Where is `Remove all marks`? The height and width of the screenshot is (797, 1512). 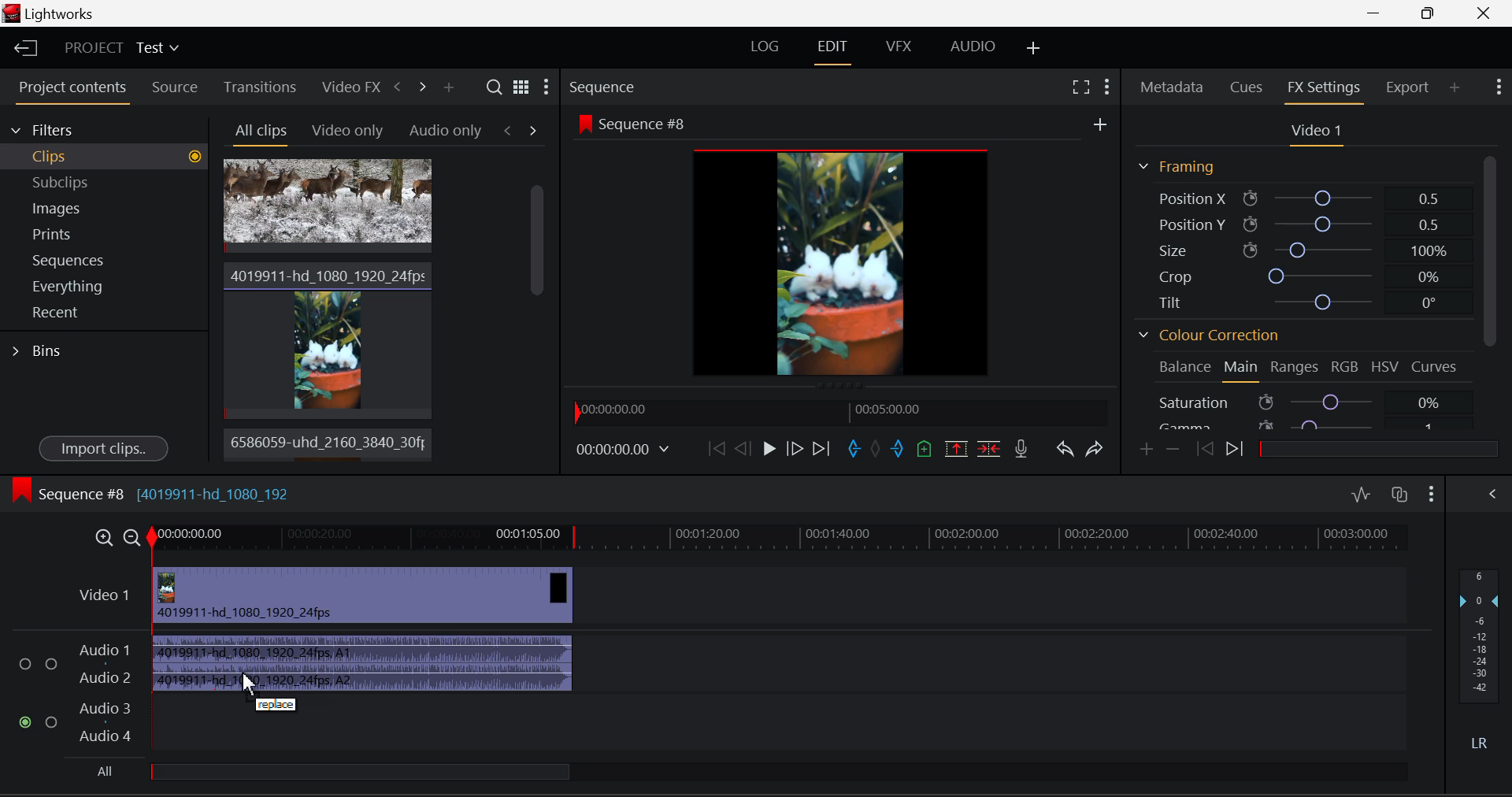 Remove all marks is located at coordinates (877, 449).